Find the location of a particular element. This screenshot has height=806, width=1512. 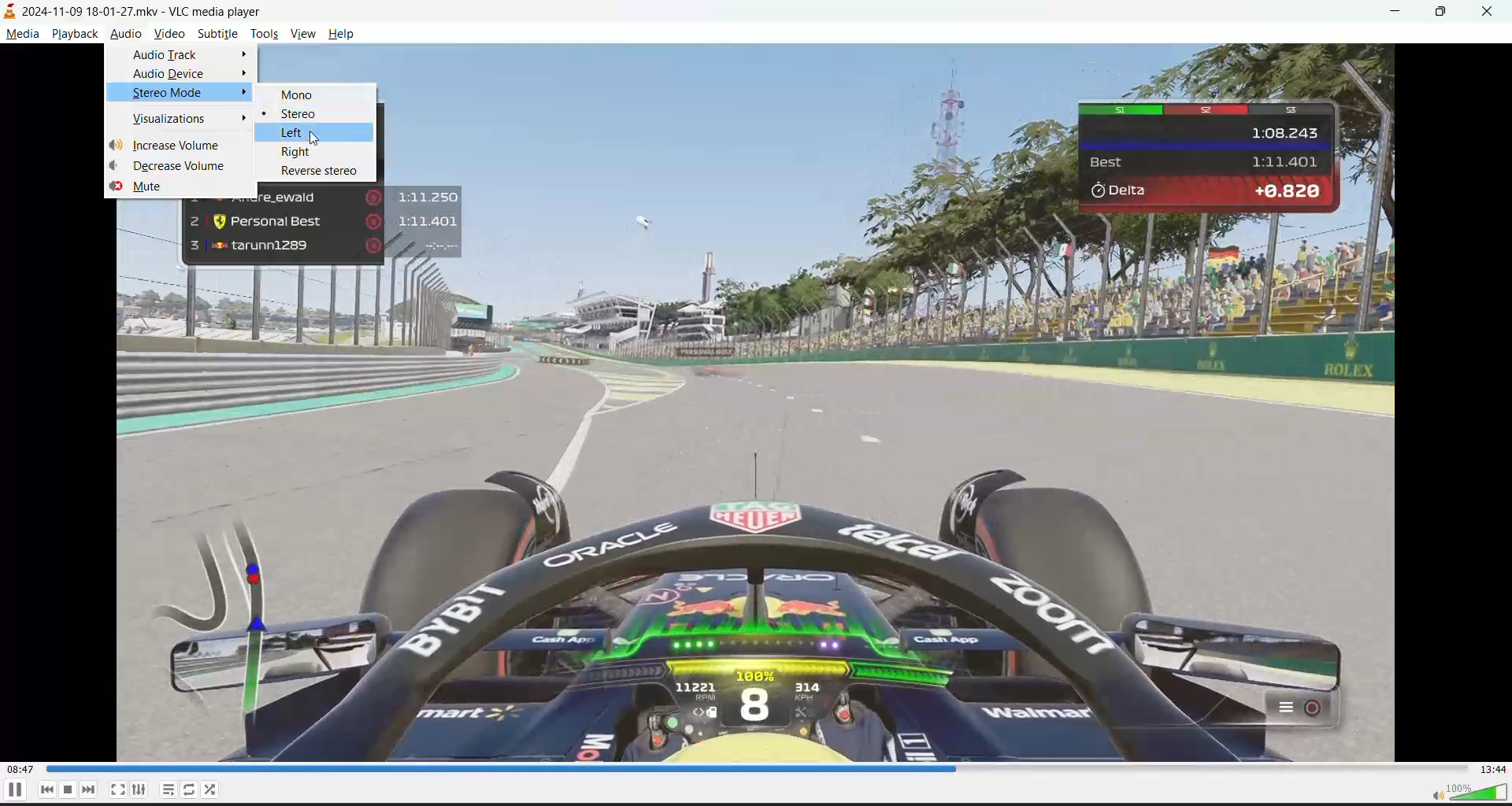

visualizations is located at coordinates (172, 118).